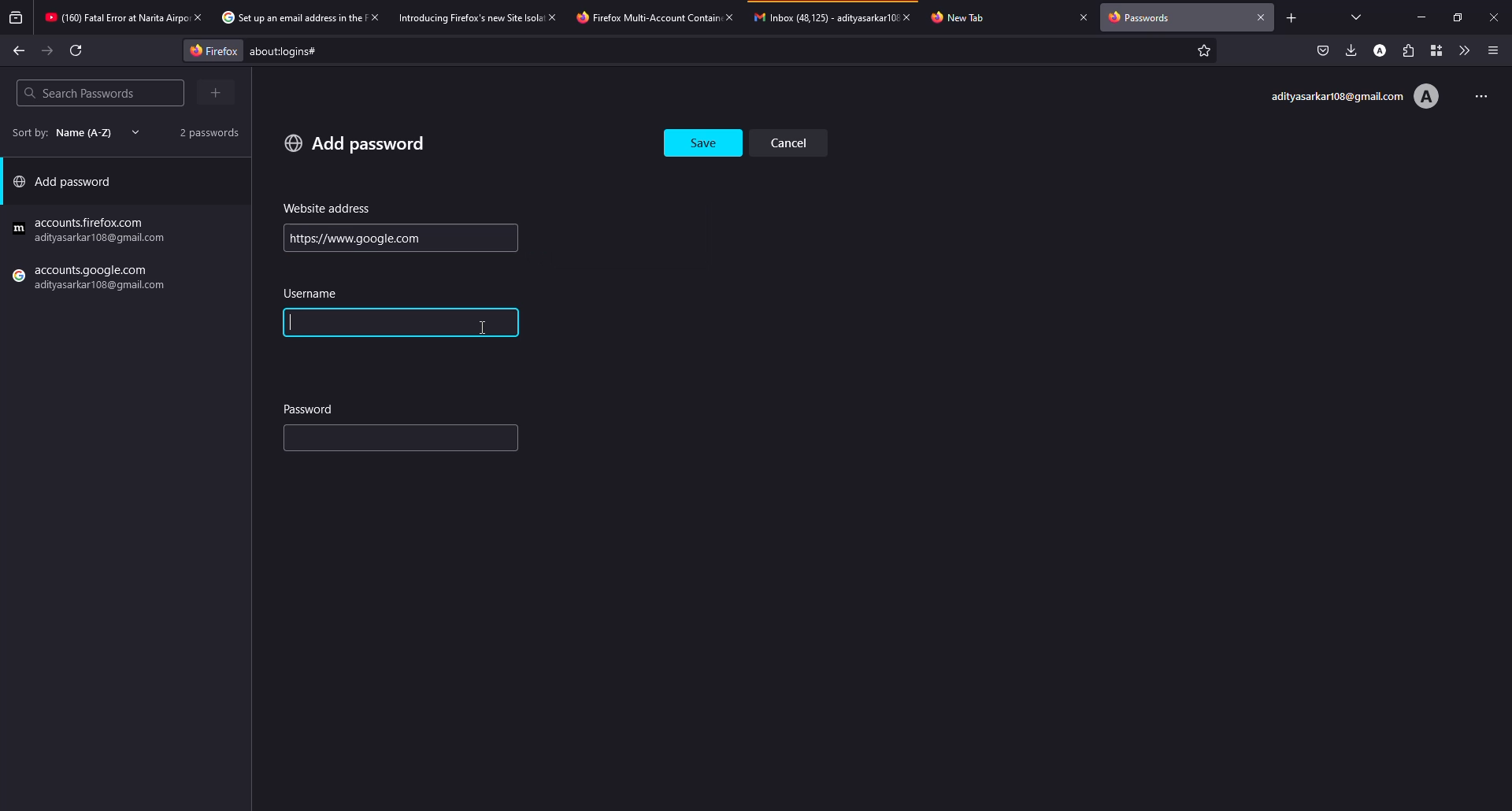 This screenshot has width=1512, height=811. I want to click on close, so click(1494, 17).